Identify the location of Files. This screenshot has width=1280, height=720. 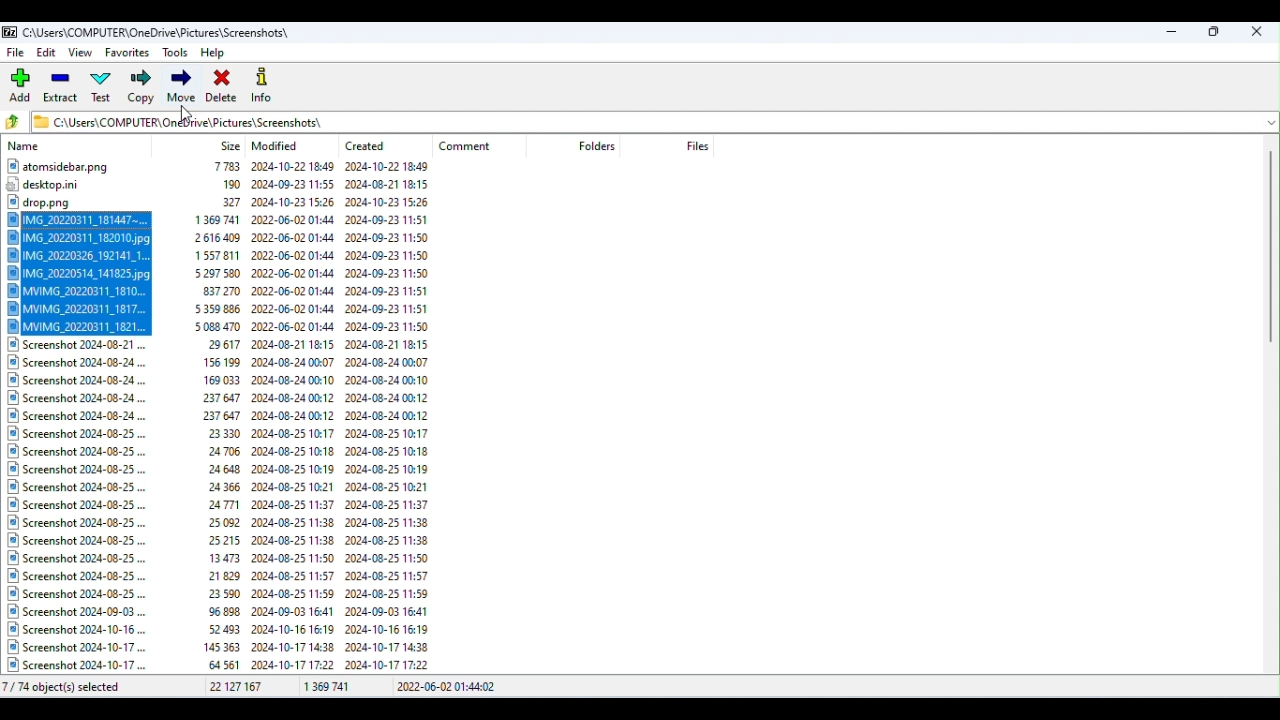
(227, 183).